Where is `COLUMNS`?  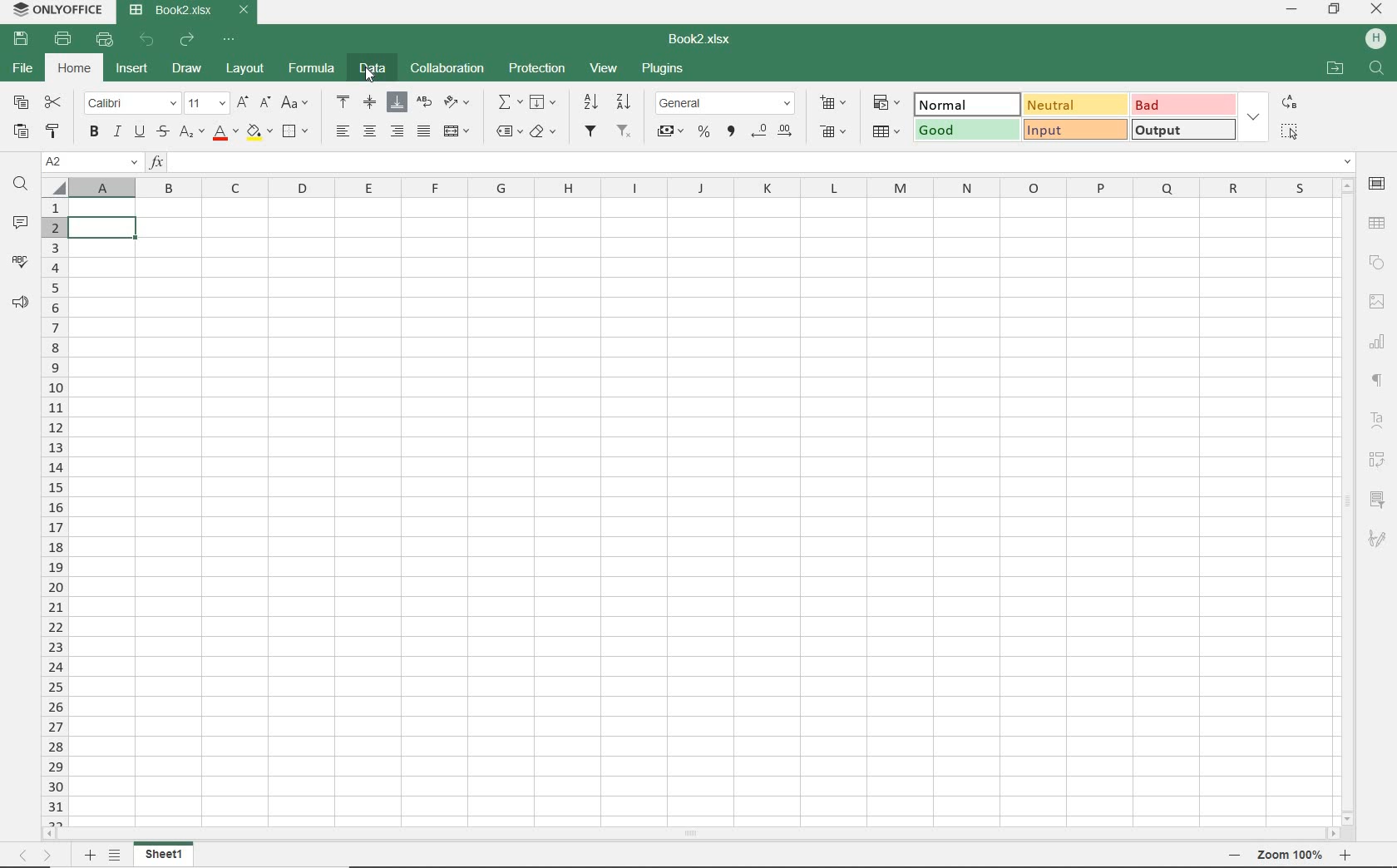
COLUMNS is located at coordinates (701, 186).